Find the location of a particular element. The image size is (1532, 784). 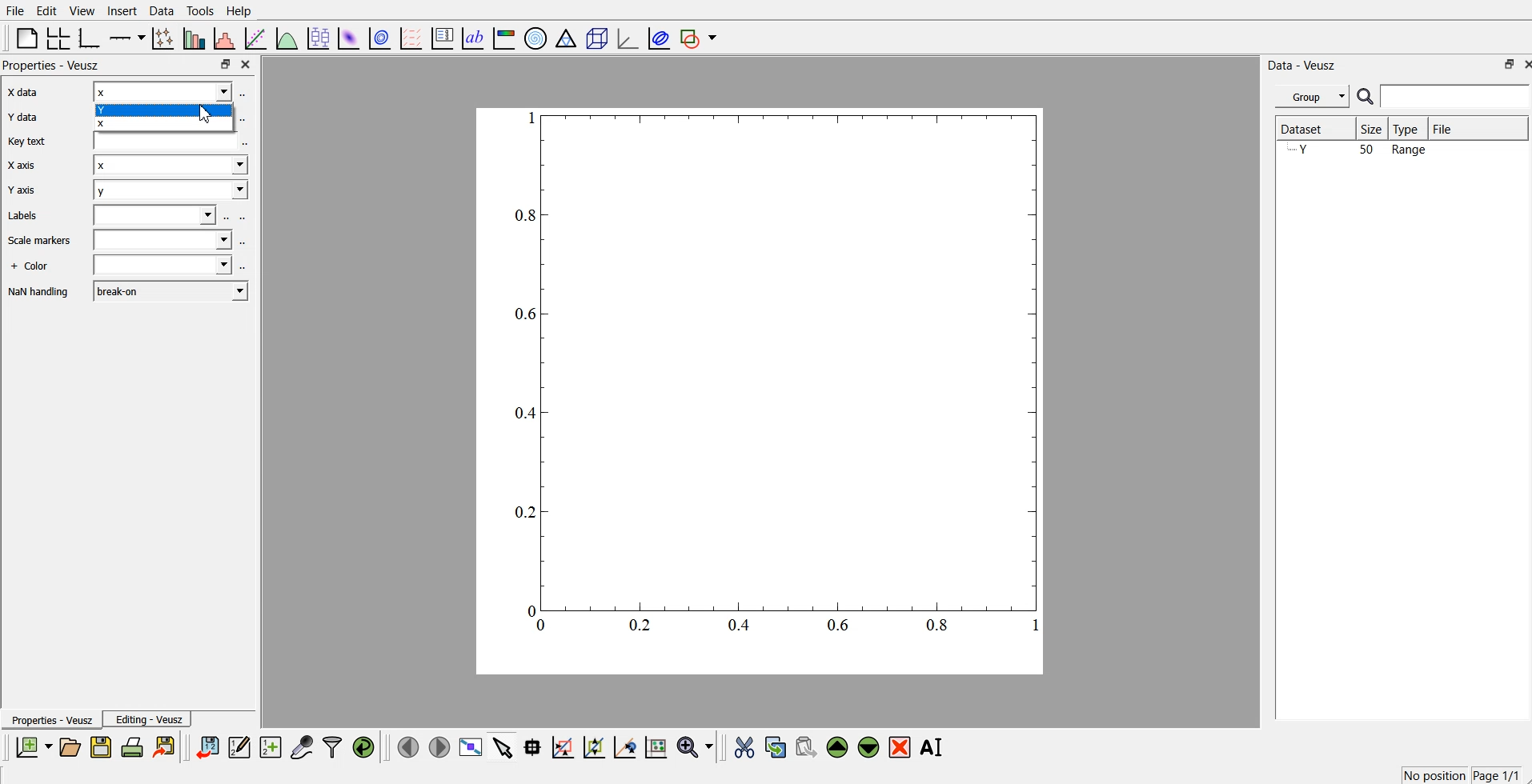

move the selected widgets up is located at coordinates (839, 747).